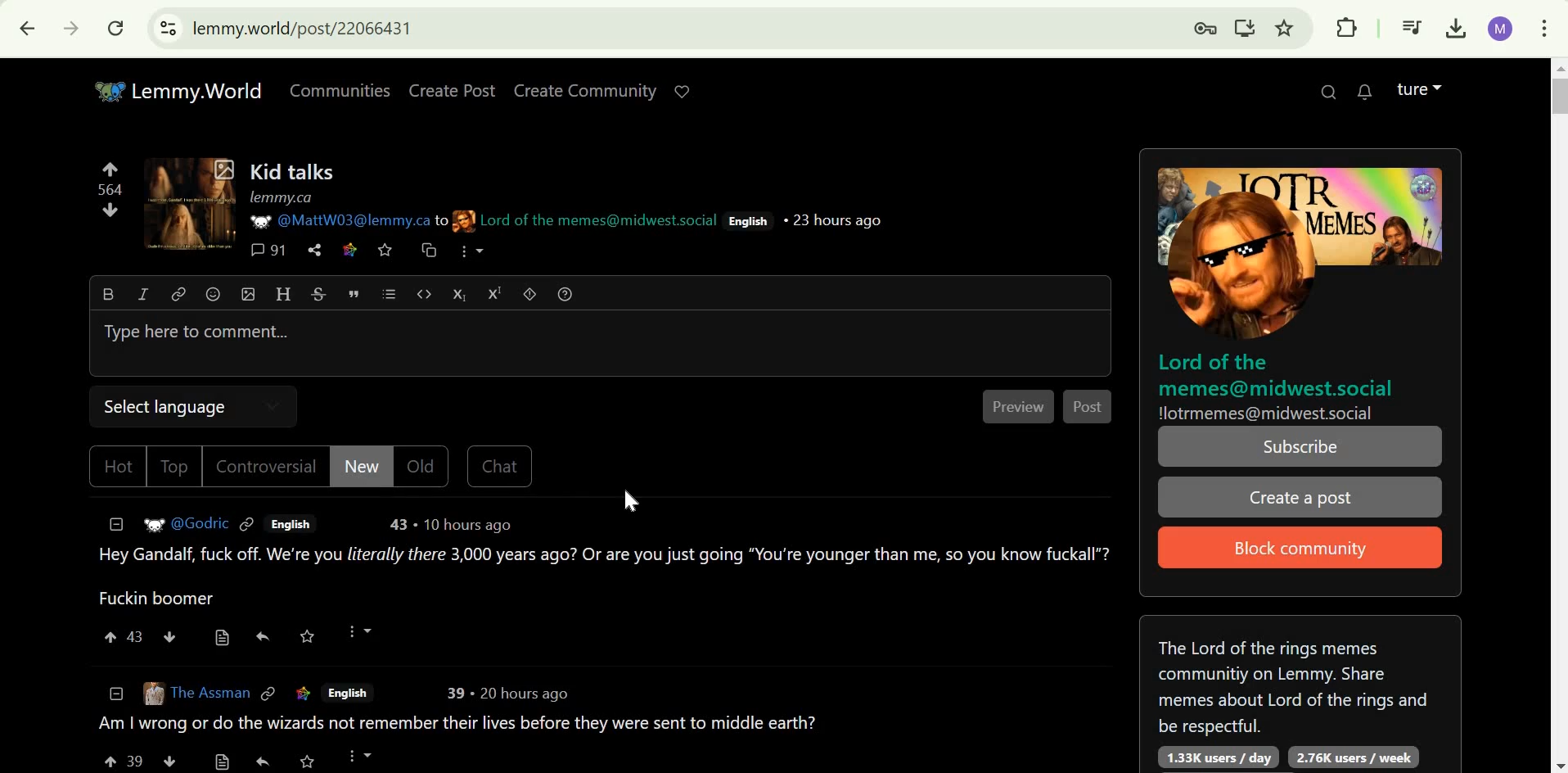  What do you see at coordinates (151, 522) in the screenshot?
I see `picture` at bounding box center [151, 522].